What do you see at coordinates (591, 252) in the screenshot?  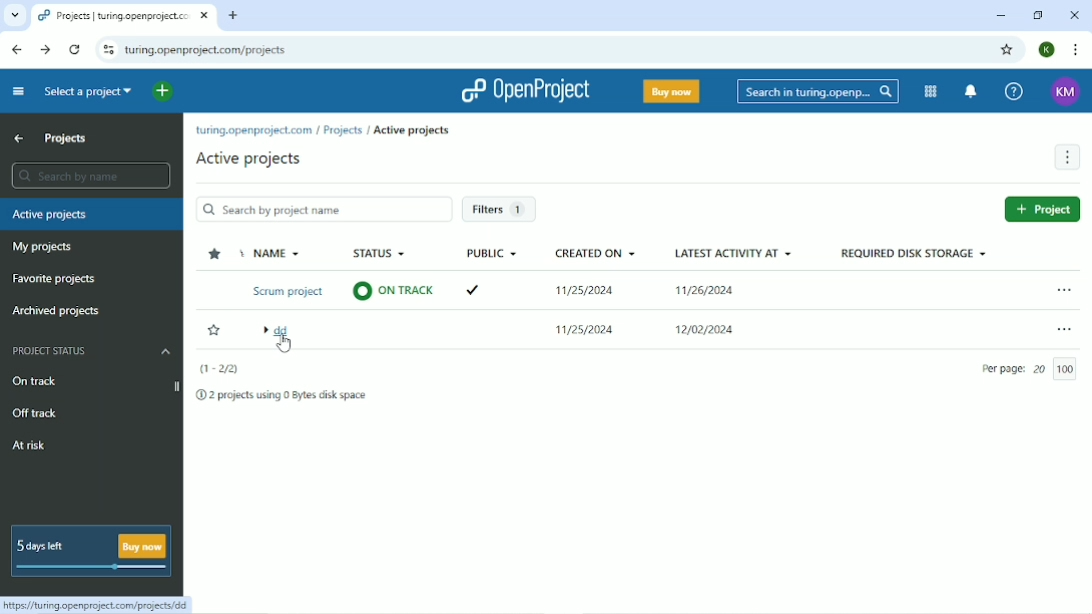 I see `Created on` at bounding box center [591, 252].